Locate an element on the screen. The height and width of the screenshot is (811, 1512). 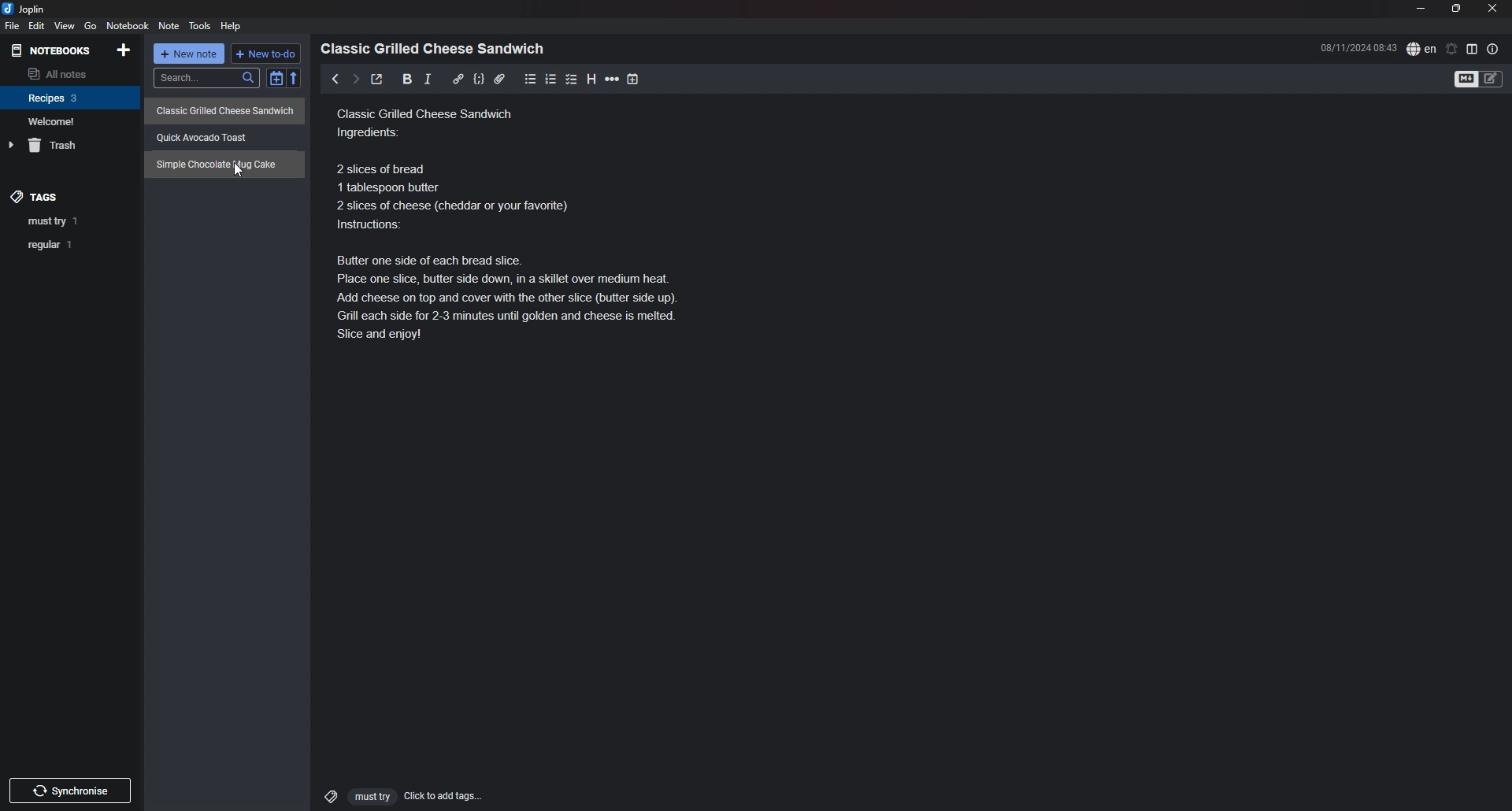
previous is located at coordinates (335, 79).